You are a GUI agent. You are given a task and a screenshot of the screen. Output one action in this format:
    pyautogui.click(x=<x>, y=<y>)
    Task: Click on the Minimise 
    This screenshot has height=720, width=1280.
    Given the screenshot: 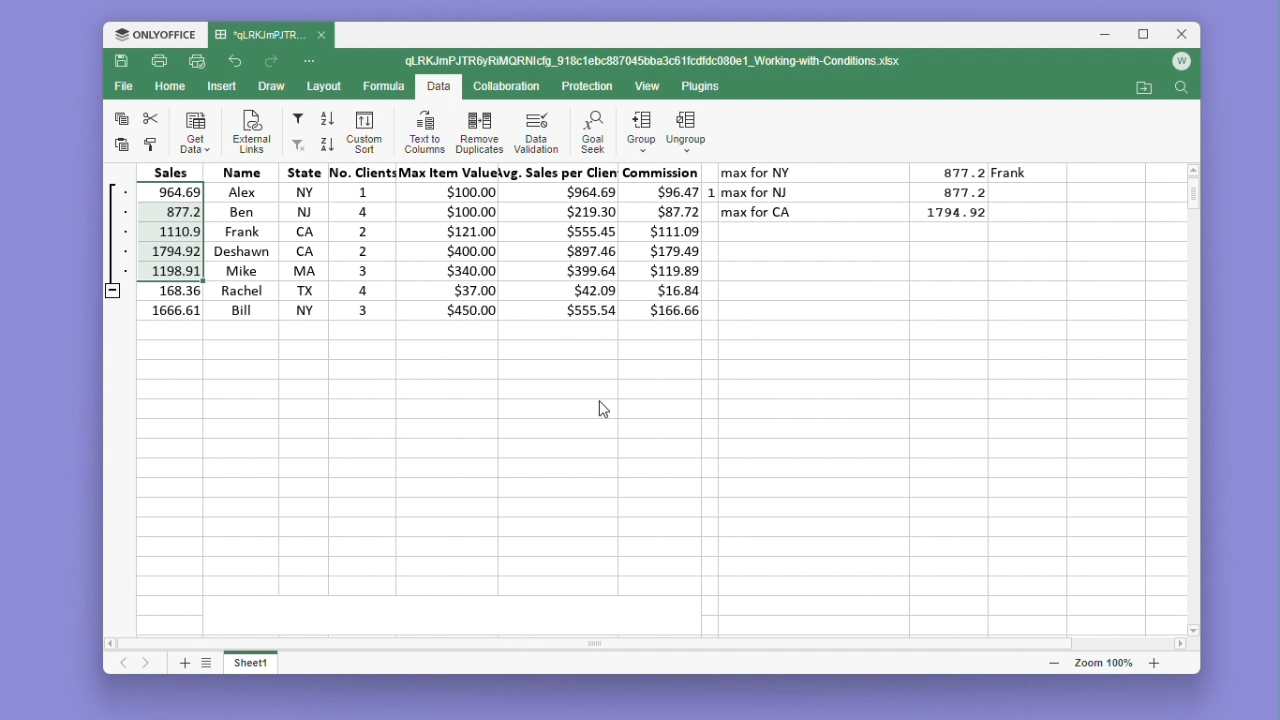 What is the action you would take?
    pyautogui.click(x=1111, y=35)
    